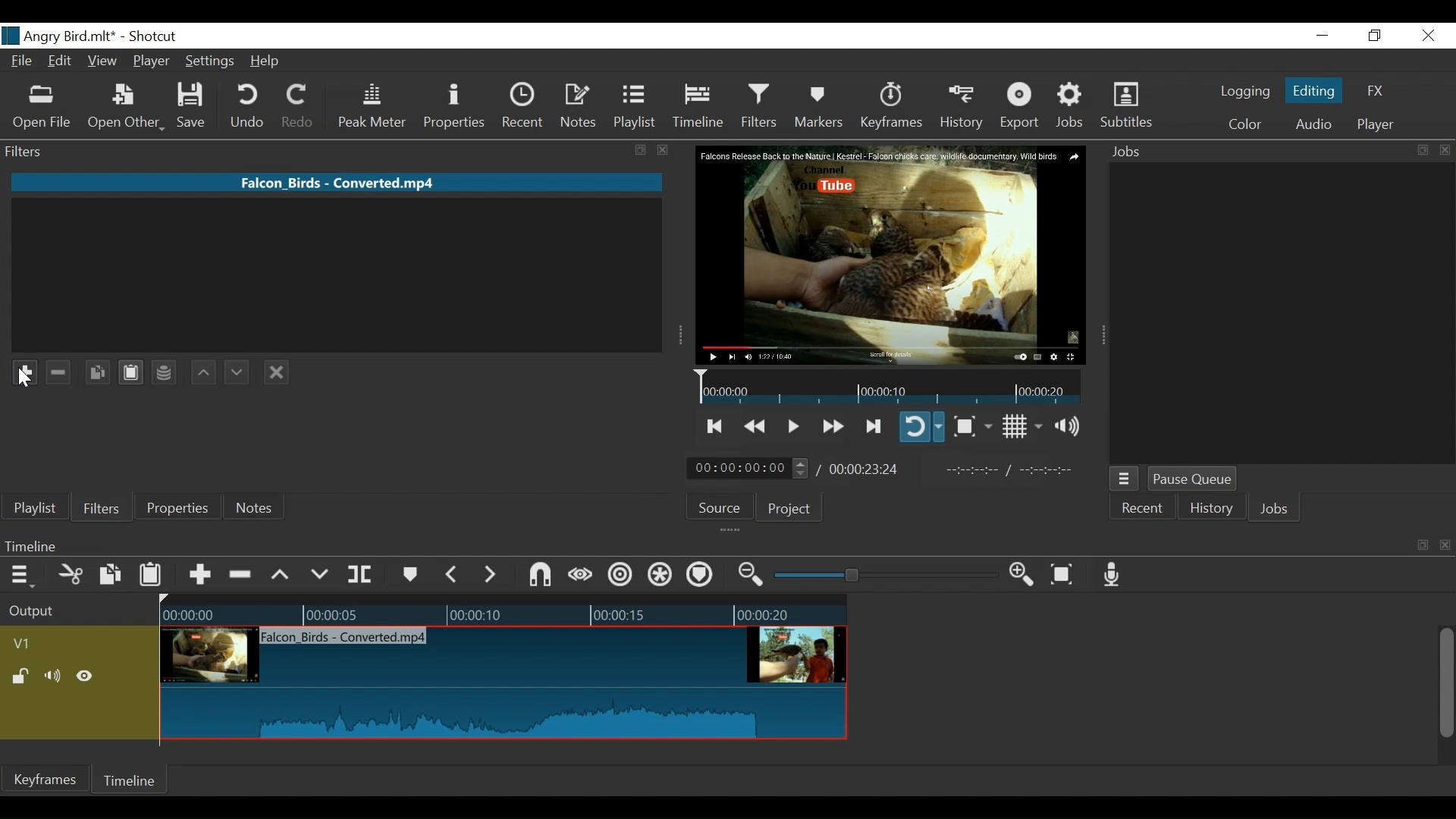 This screenshot has width=1456, height=819. What do you see at coordinates (1073, 426) in the screenshot?
I see `Show volume control` at bounding box center [1073, 426].